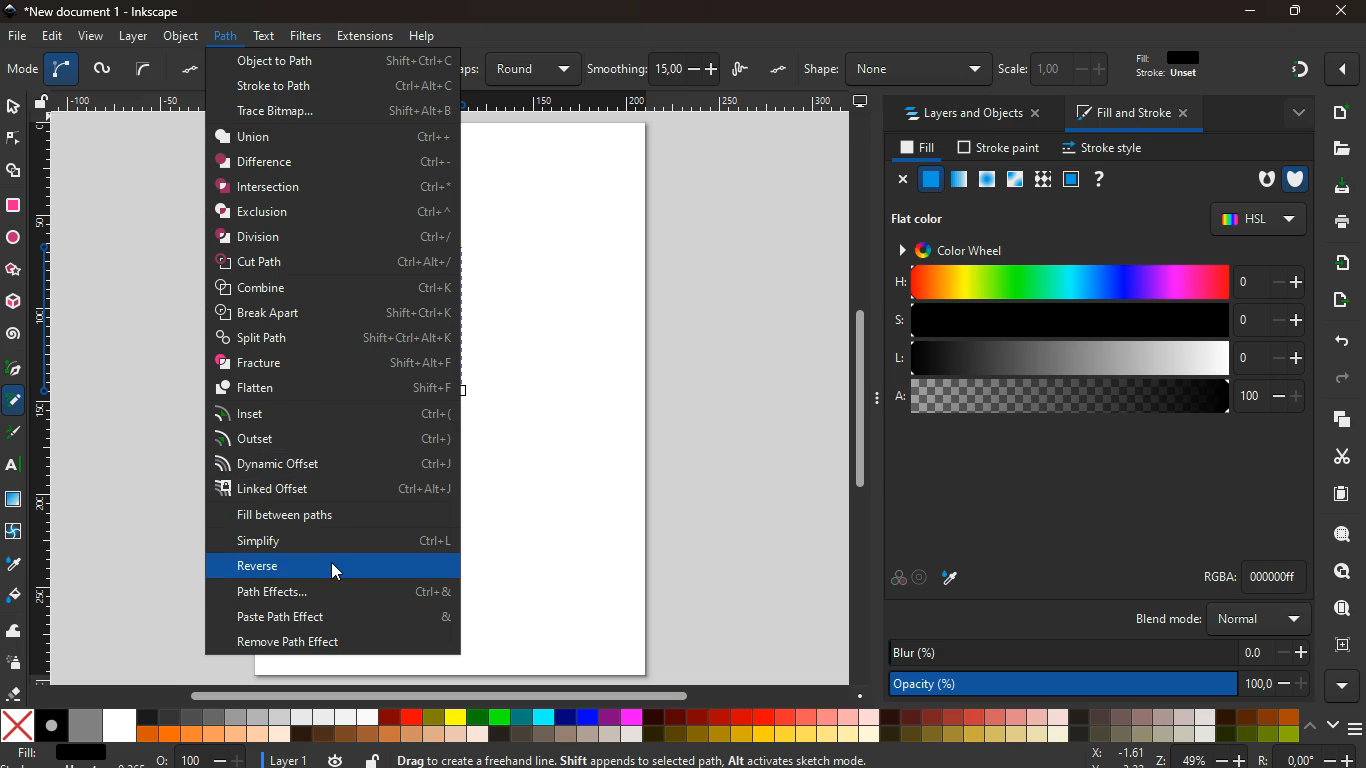  Describe the element at coordinates (332, 262) in the screenshot. I see `cut path` at that location.